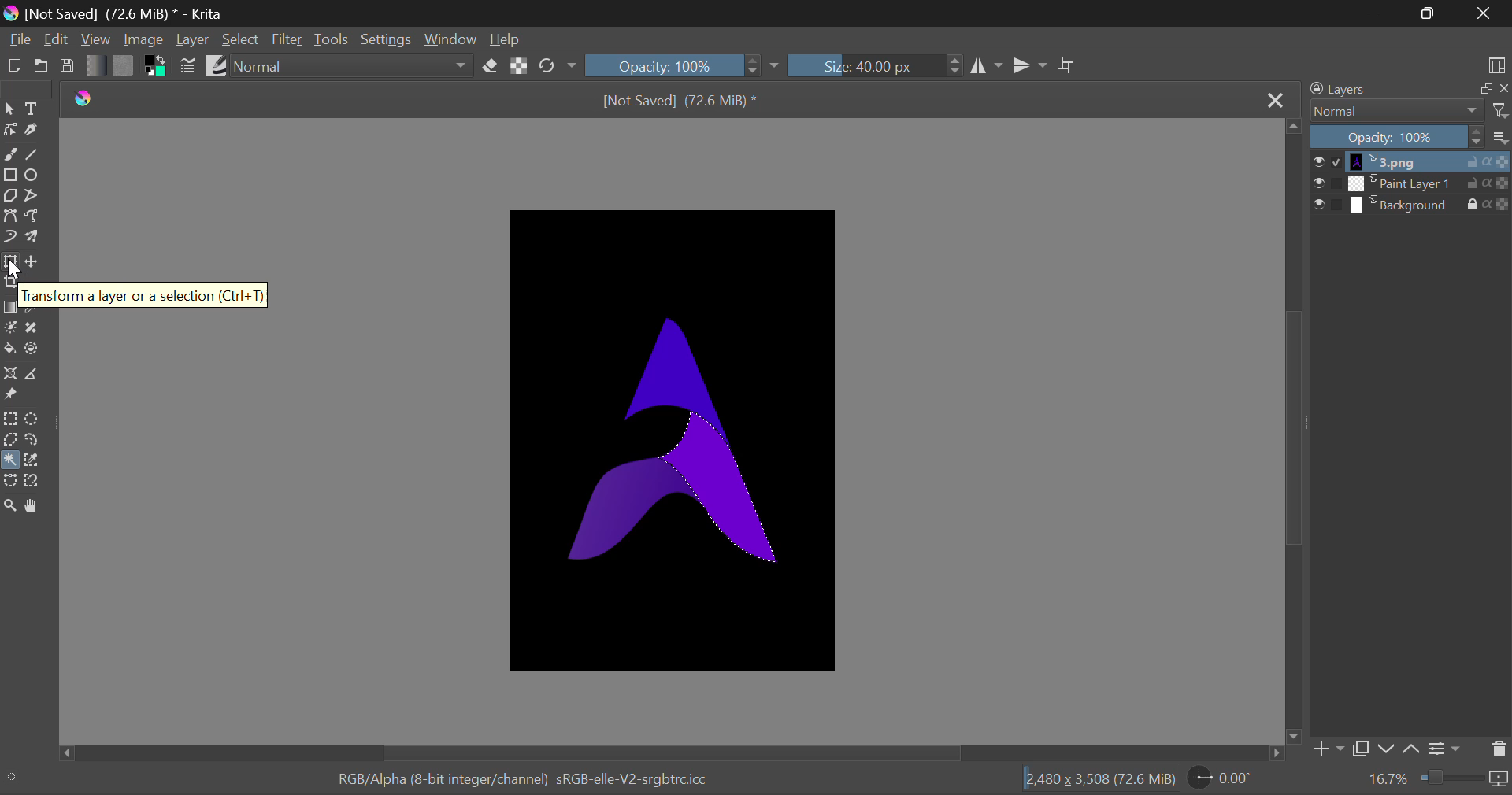 This screenshot has height=795, width=1512. What do you see at coordinates (1273, 104) in the screenshot?
I see `Close` at bounding box center [1273, 104].